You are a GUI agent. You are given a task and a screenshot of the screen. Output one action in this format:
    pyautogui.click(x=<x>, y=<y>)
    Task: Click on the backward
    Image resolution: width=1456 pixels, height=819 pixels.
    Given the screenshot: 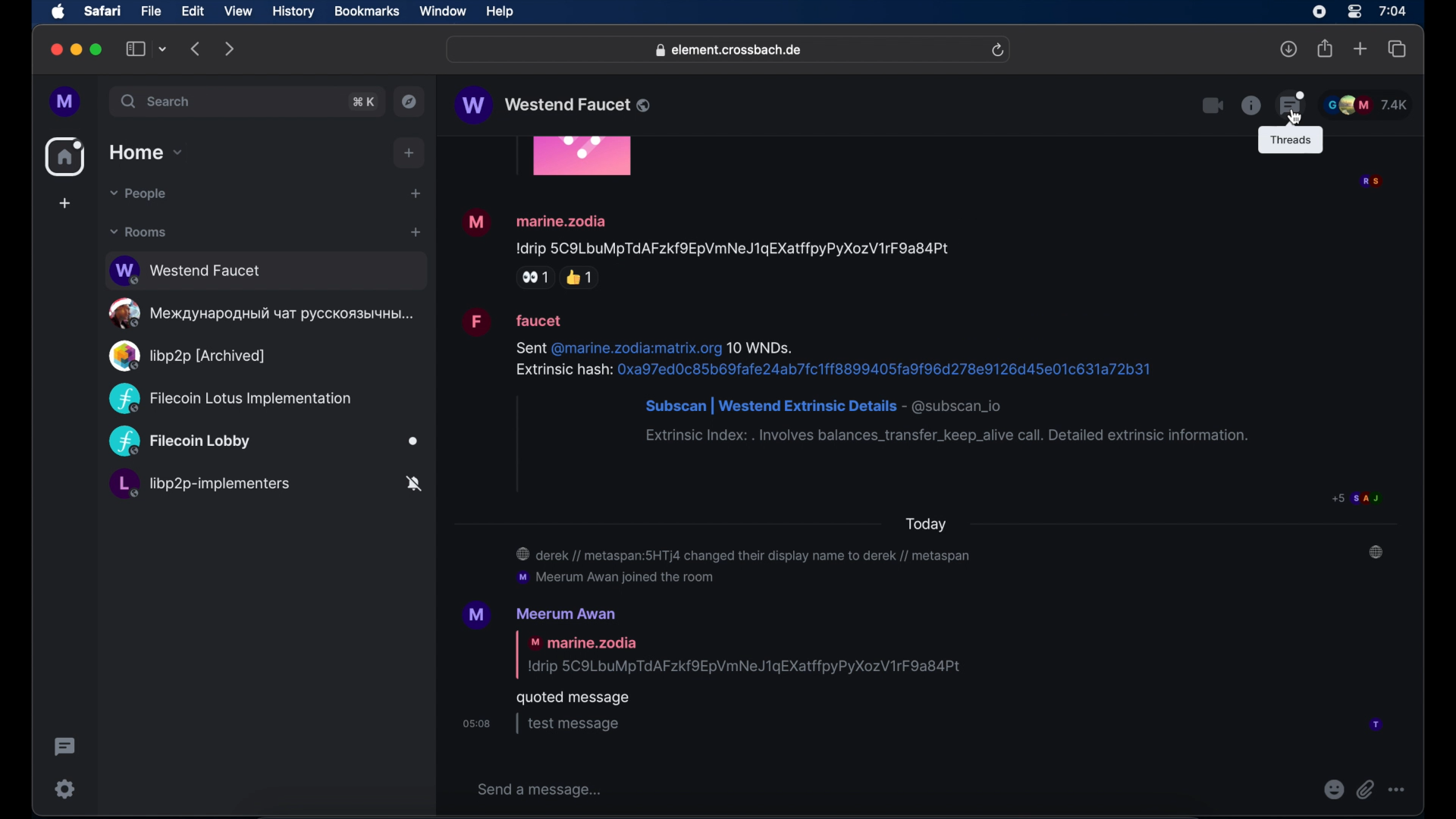 What is the action you would take?
    pyautogui.click(x=196, y=49)
    